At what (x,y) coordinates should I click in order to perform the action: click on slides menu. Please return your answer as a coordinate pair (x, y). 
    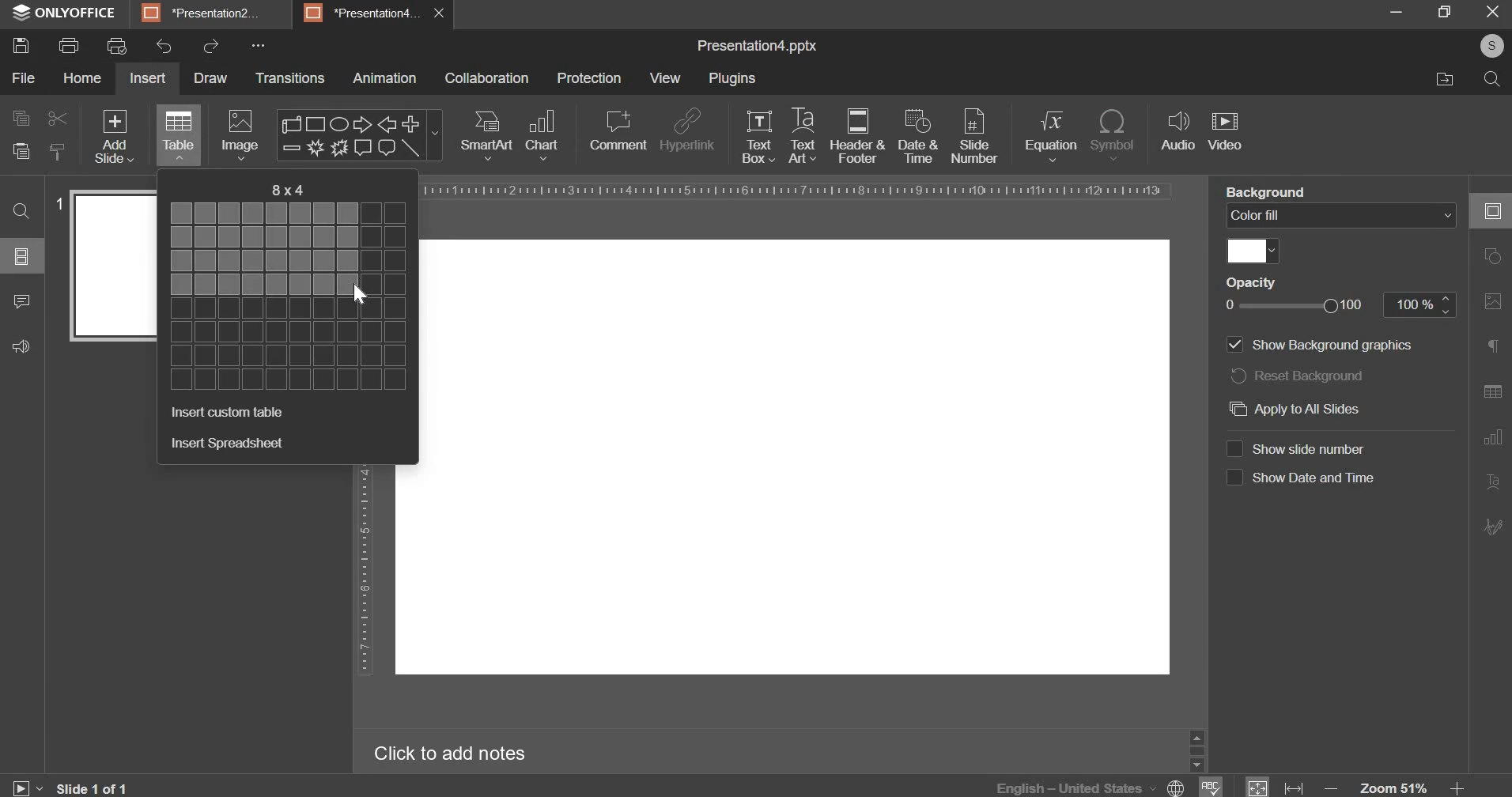
    Looking at the image, I should click on (22, 256).